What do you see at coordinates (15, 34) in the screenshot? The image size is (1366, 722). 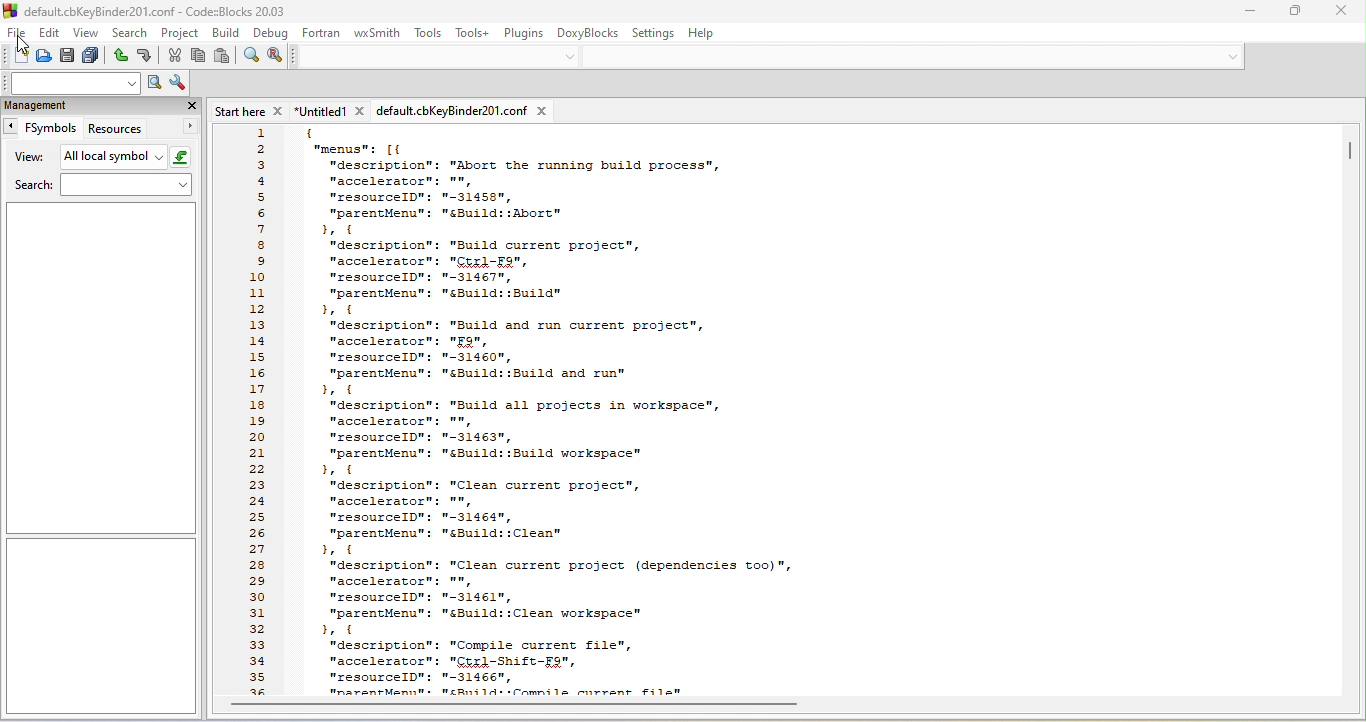 I see `file` at bounding box center [15, 34].